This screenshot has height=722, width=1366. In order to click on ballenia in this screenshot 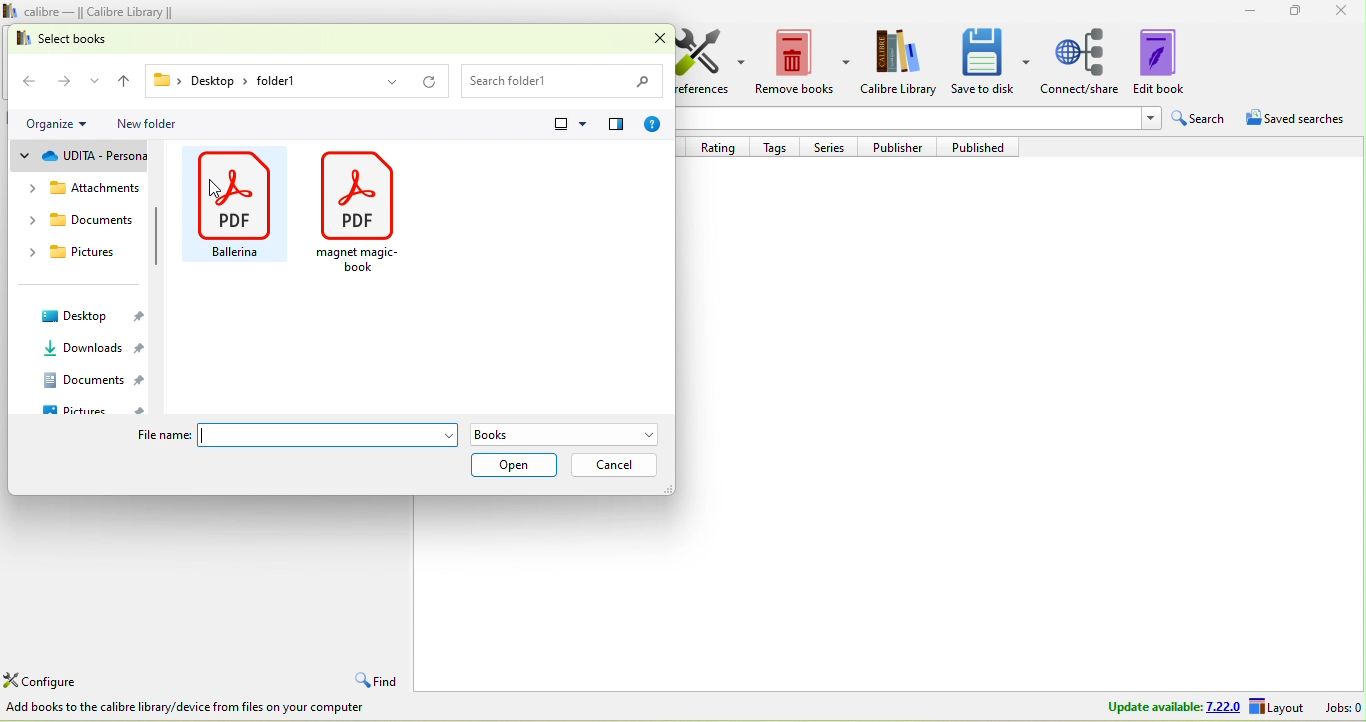, I will do `click(238, 204)`.